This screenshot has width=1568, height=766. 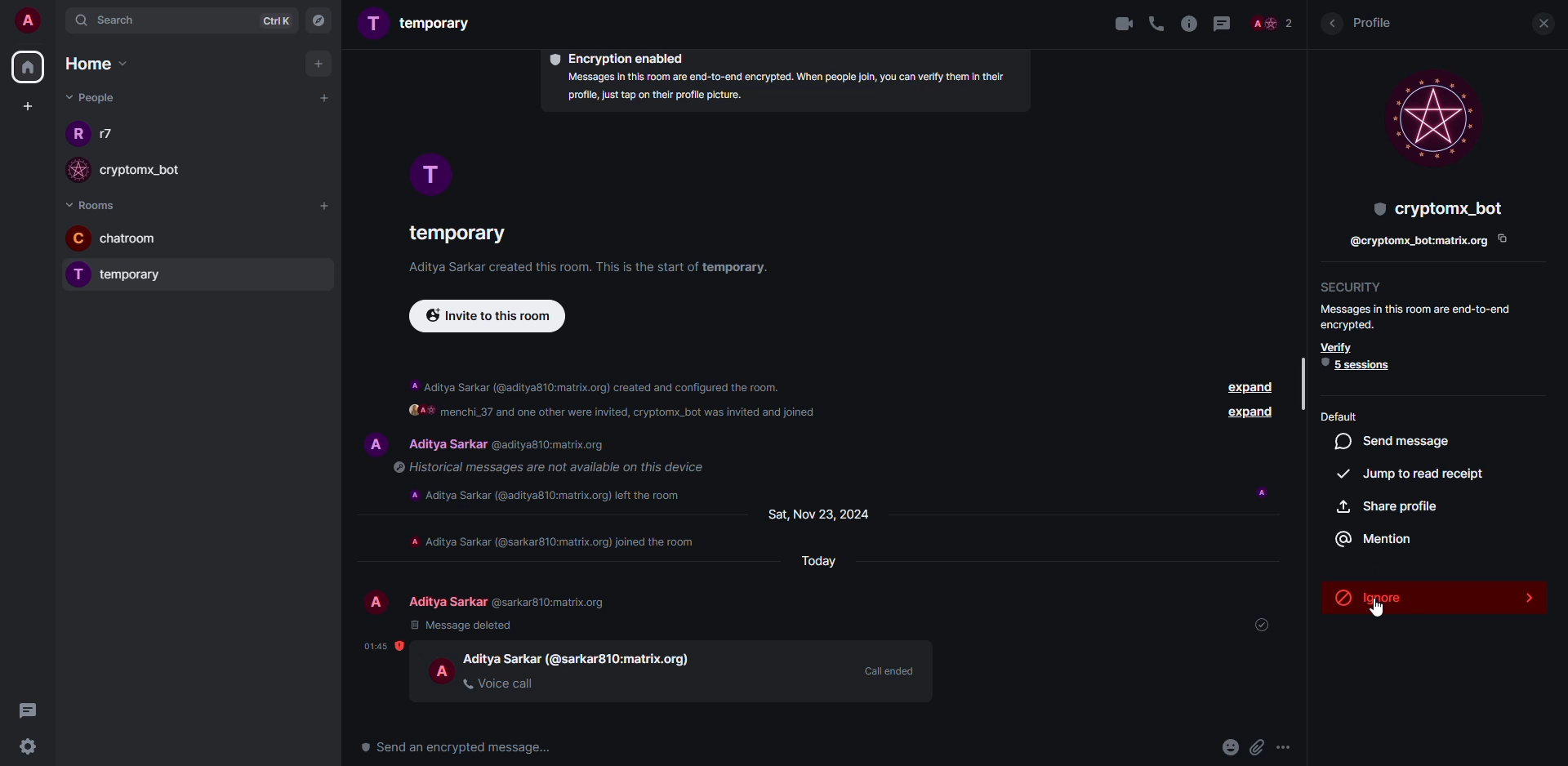 What do you see at coordinates (1189, 24) in the screenshot?
I see `info` at bounding box center [1189, 24].